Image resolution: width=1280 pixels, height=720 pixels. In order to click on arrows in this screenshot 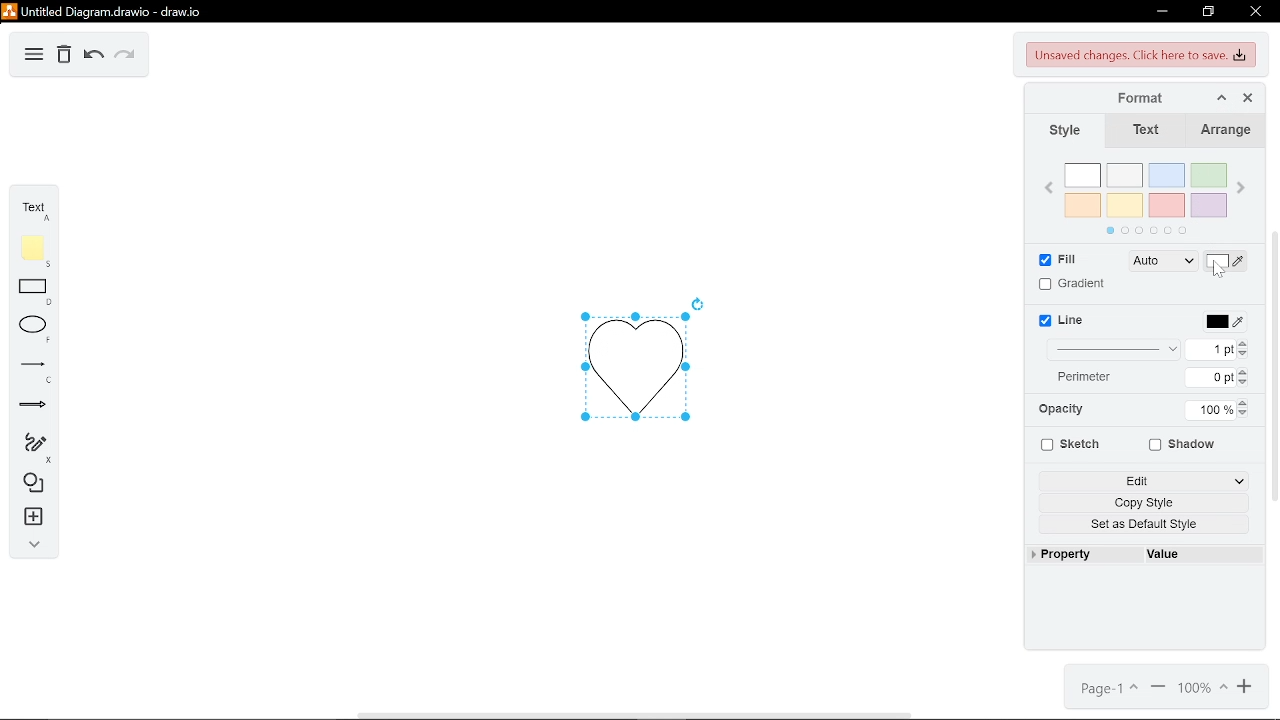, I will do `click(34, 405)`.